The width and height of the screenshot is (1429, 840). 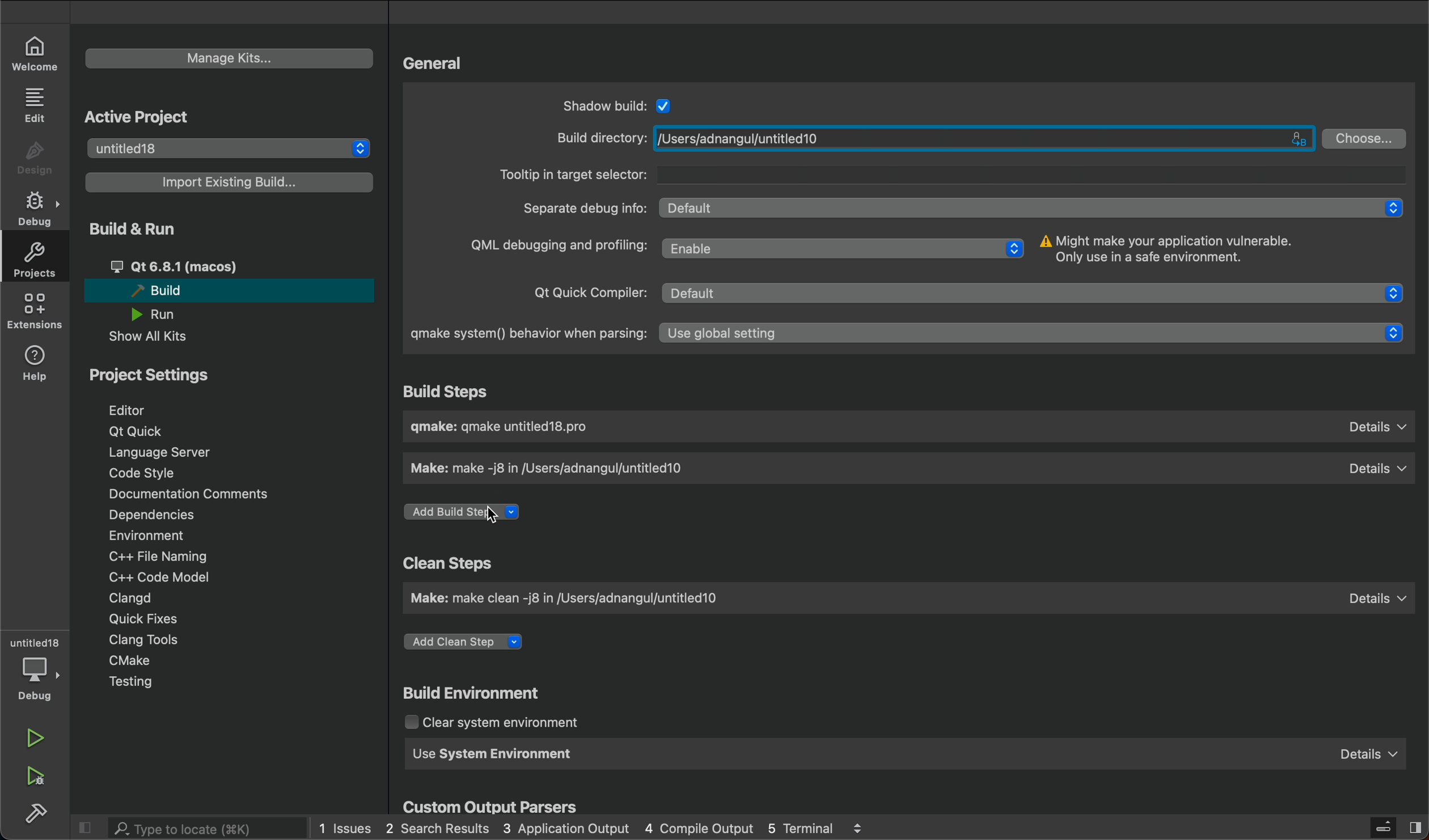 I want to click on General, so click(x=433, y=65).